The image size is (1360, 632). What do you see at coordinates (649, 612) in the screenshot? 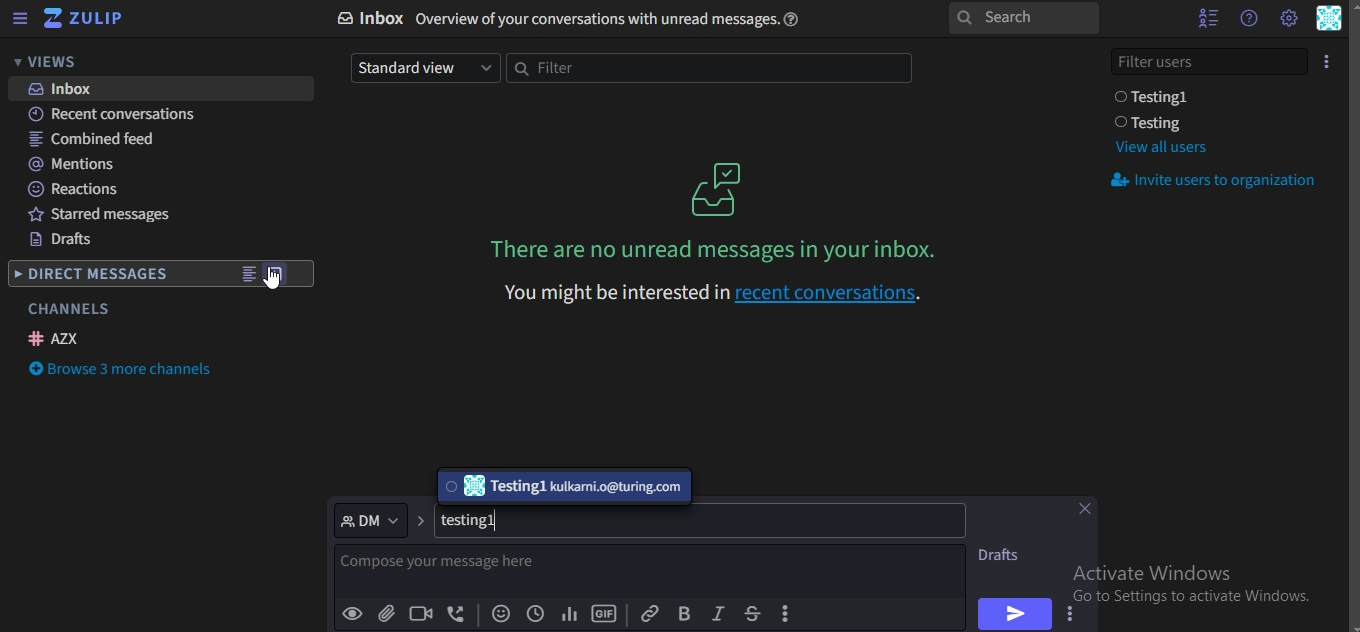
I see `link` at bounding box center [649, 612].